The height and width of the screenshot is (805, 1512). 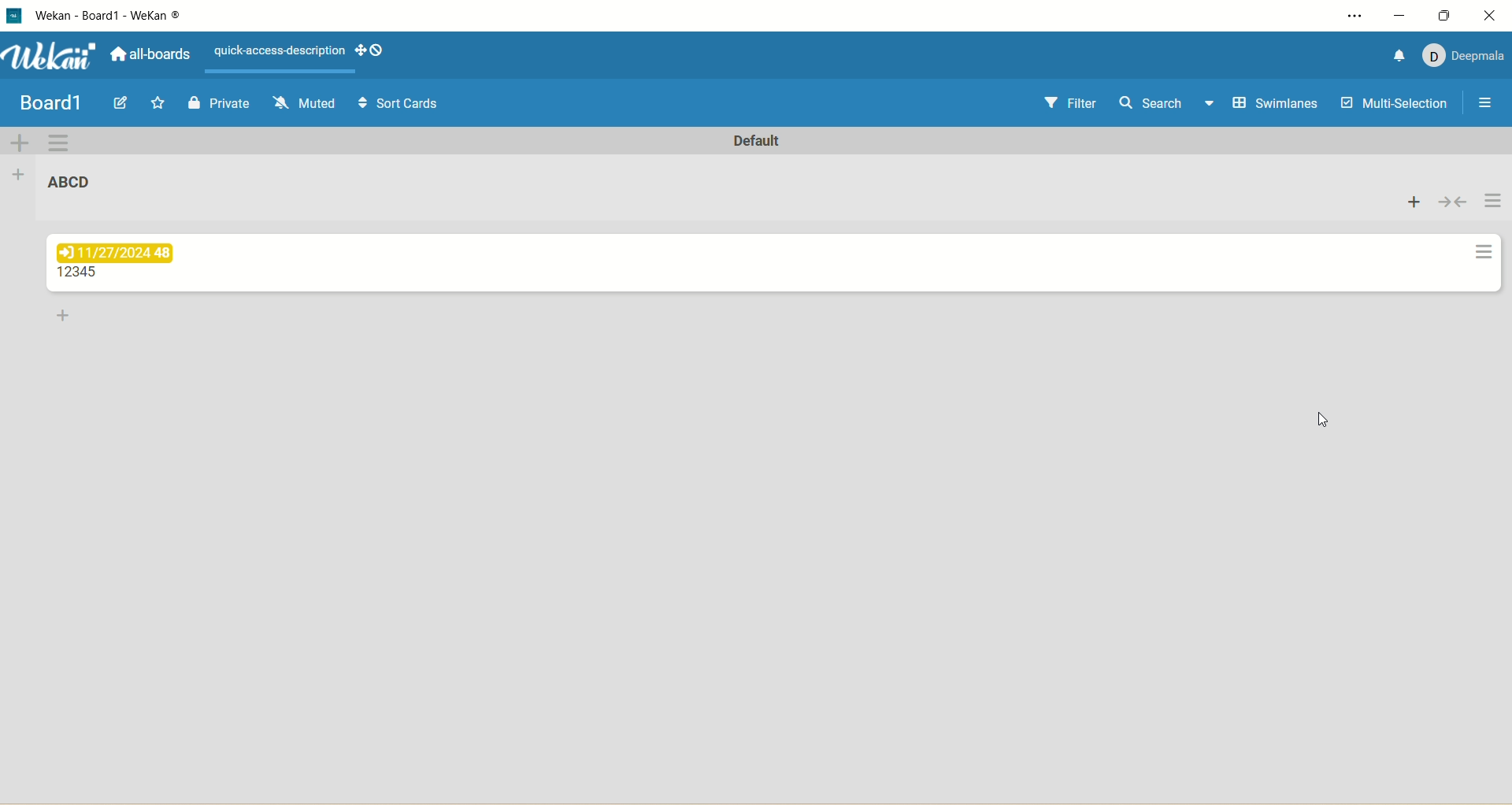 What do you see at coordinates (1321, 424) in the screenshot?
I see `cursor` at bounding box center [1321, 424].